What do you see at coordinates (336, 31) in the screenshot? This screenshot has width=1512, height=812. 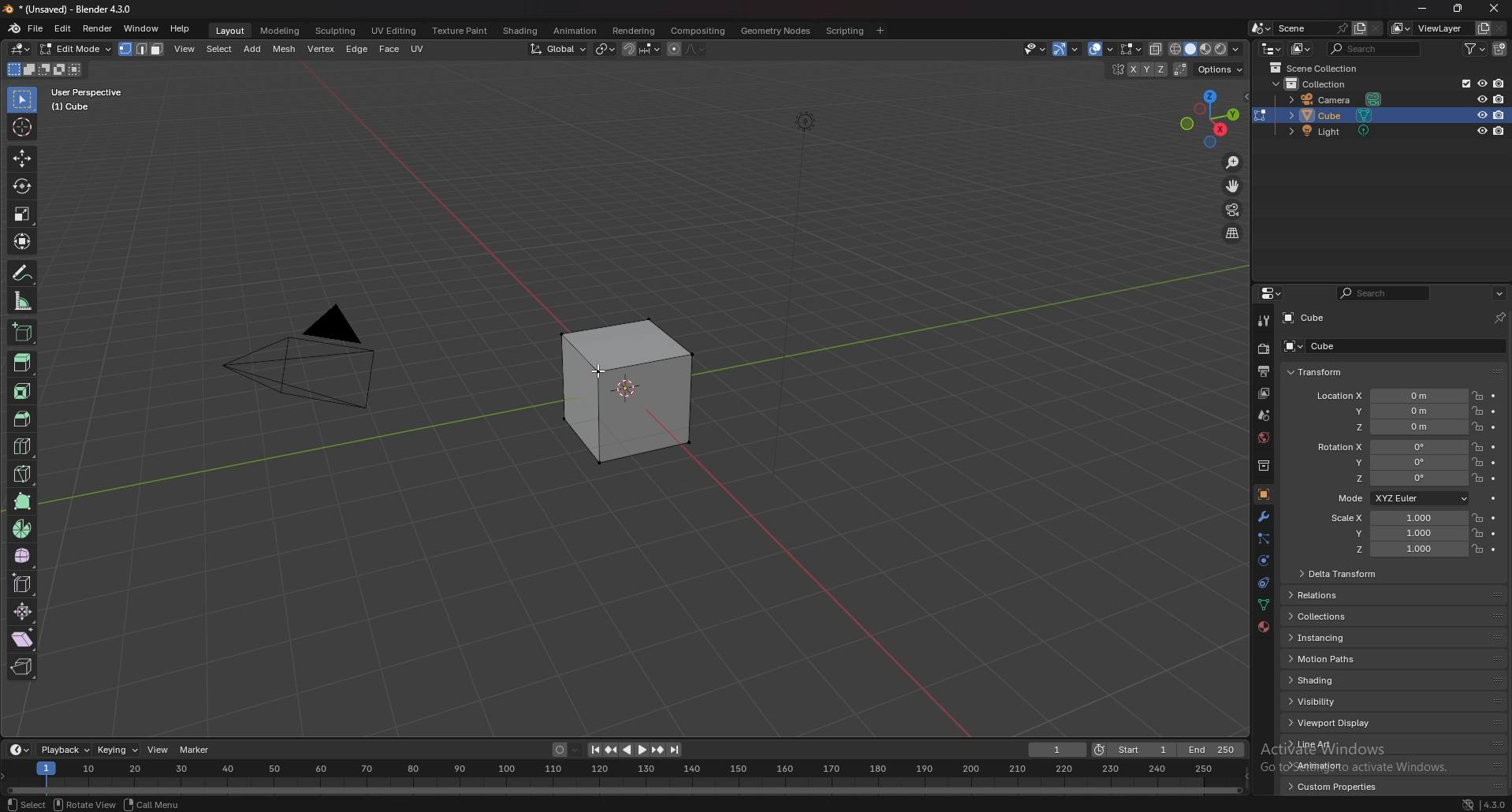 I see `sculpting` at bounding box center [336, 31].